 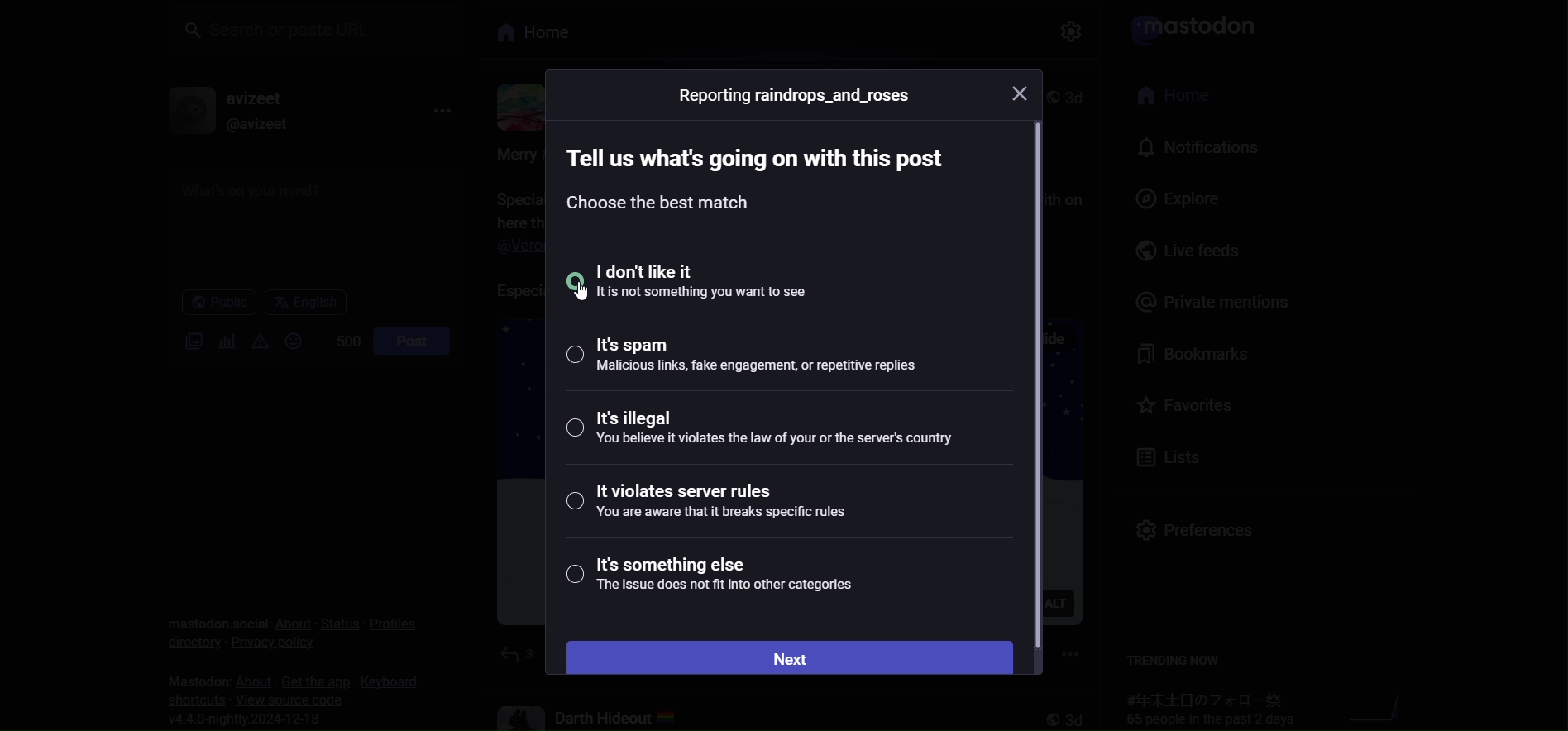 I want to click on reporting user, so click(x=796, y=96).